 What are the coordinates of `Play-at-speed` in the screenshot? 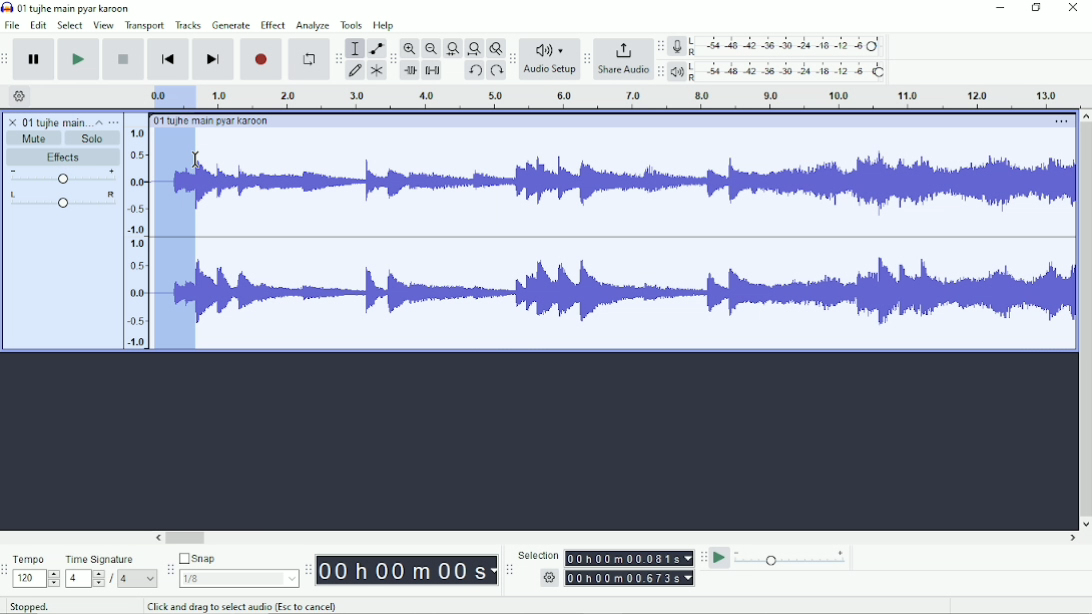 It's located at (721, 558).